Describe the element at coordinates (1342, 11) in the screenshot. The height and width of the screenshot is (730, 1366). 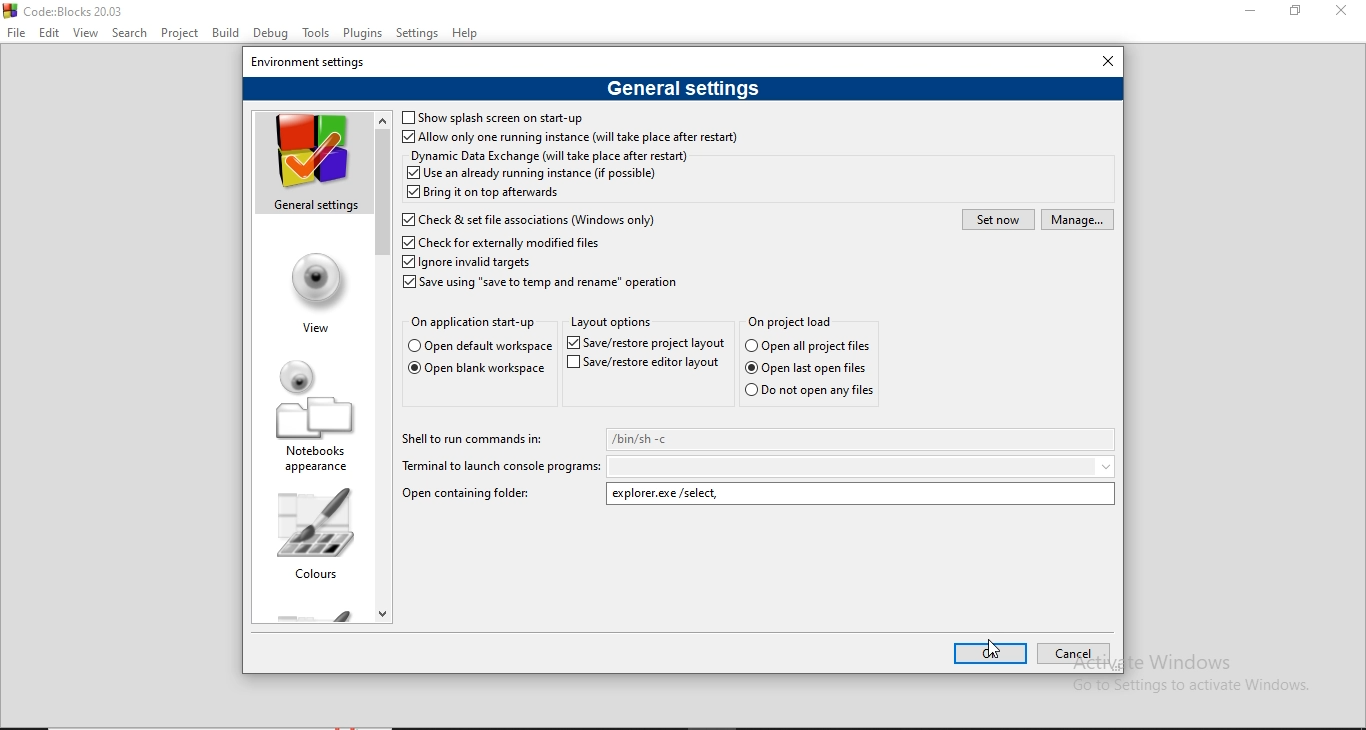
I see `Close` at that location.